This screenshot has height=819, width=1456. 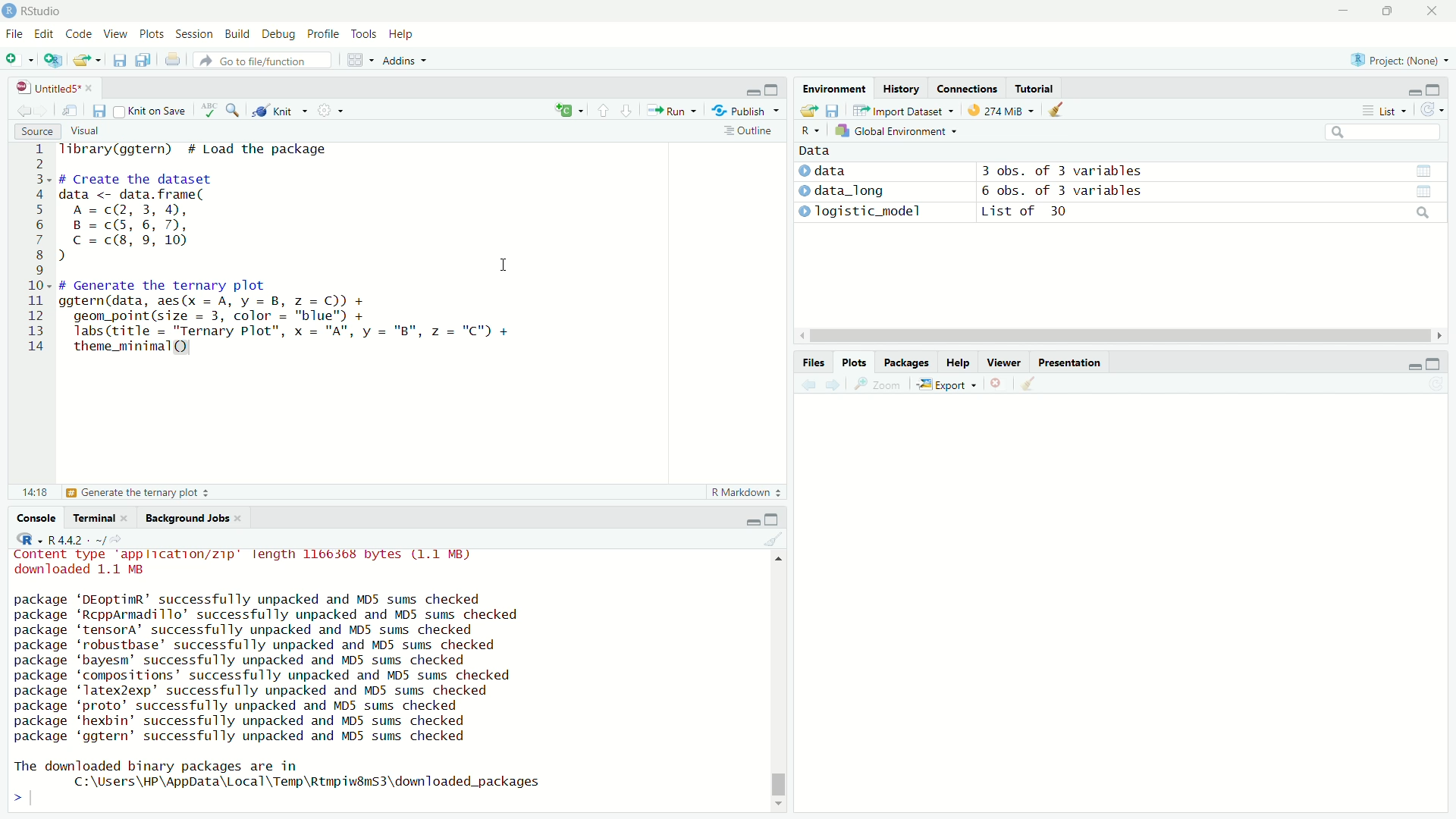 I want to click on Profile, so click(x=321, y=34).